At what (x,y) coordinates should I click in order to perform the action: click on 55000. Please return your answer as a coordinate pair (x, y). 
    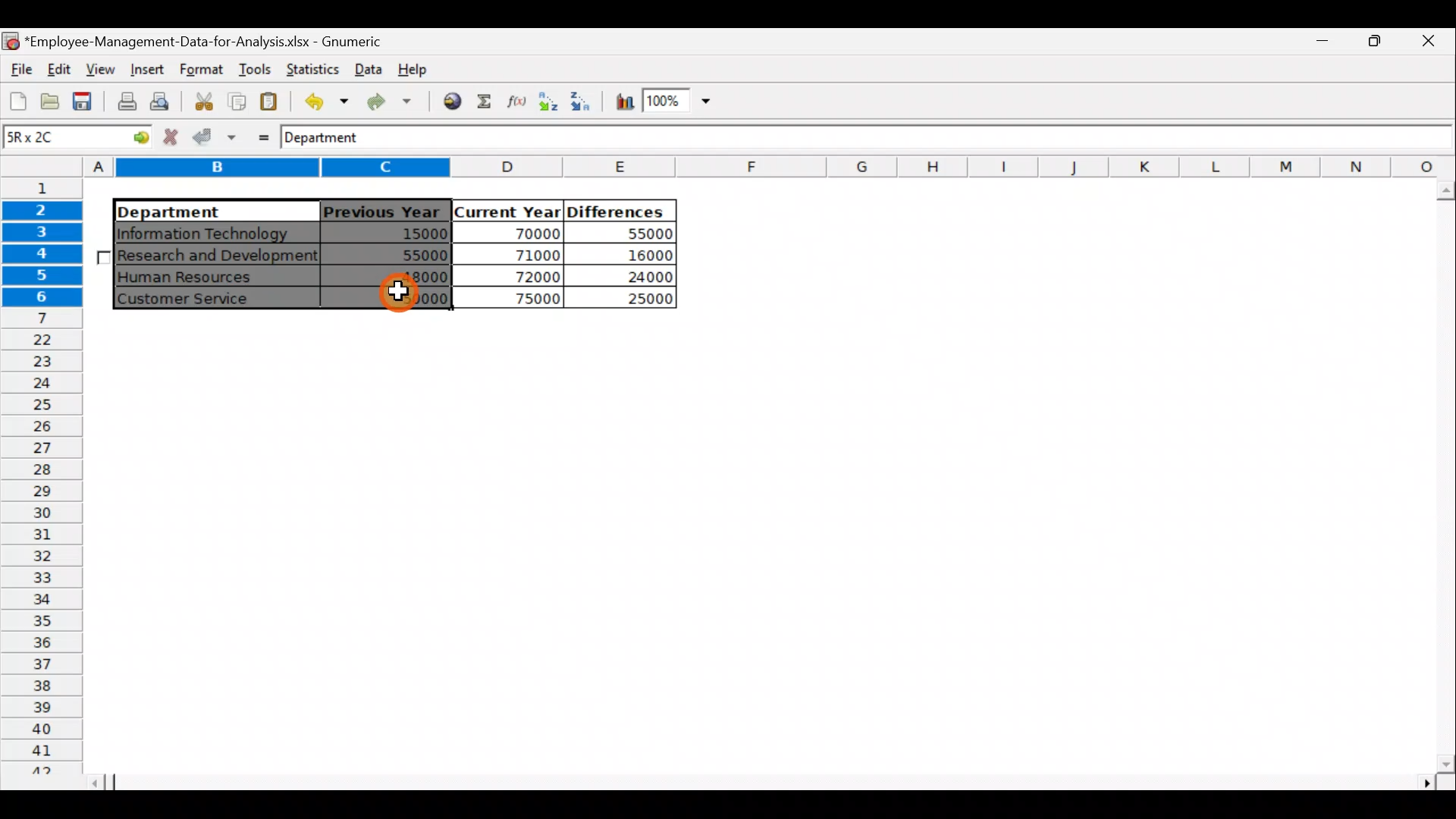
    Looking at the image, I should click on (642, 234).